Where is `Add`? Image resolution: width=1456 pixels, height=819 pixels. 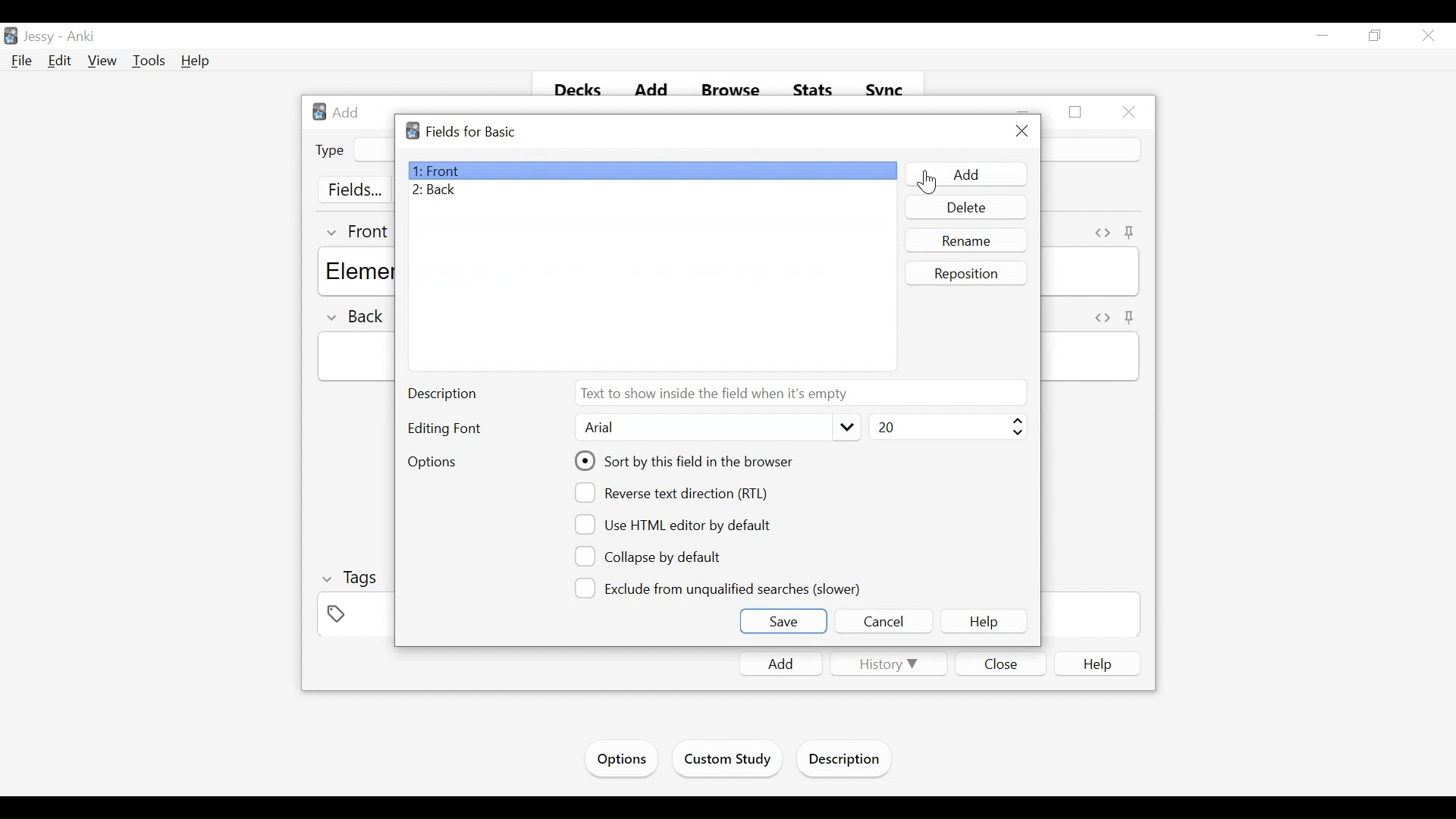
Add is located at coordinates (654, 91).